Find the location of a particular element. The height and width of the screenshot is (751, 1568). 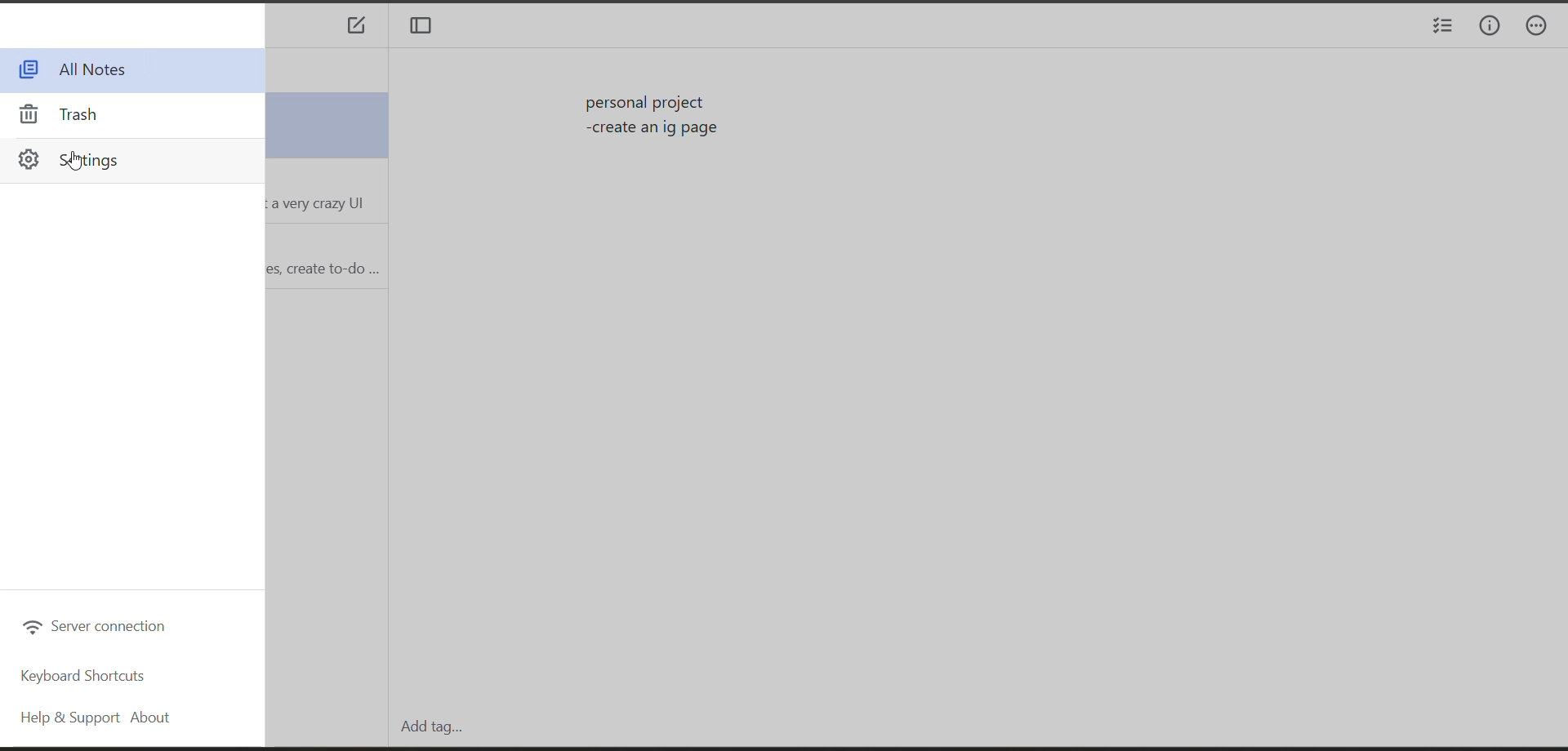

add tag is located at coordinates (427, 727).